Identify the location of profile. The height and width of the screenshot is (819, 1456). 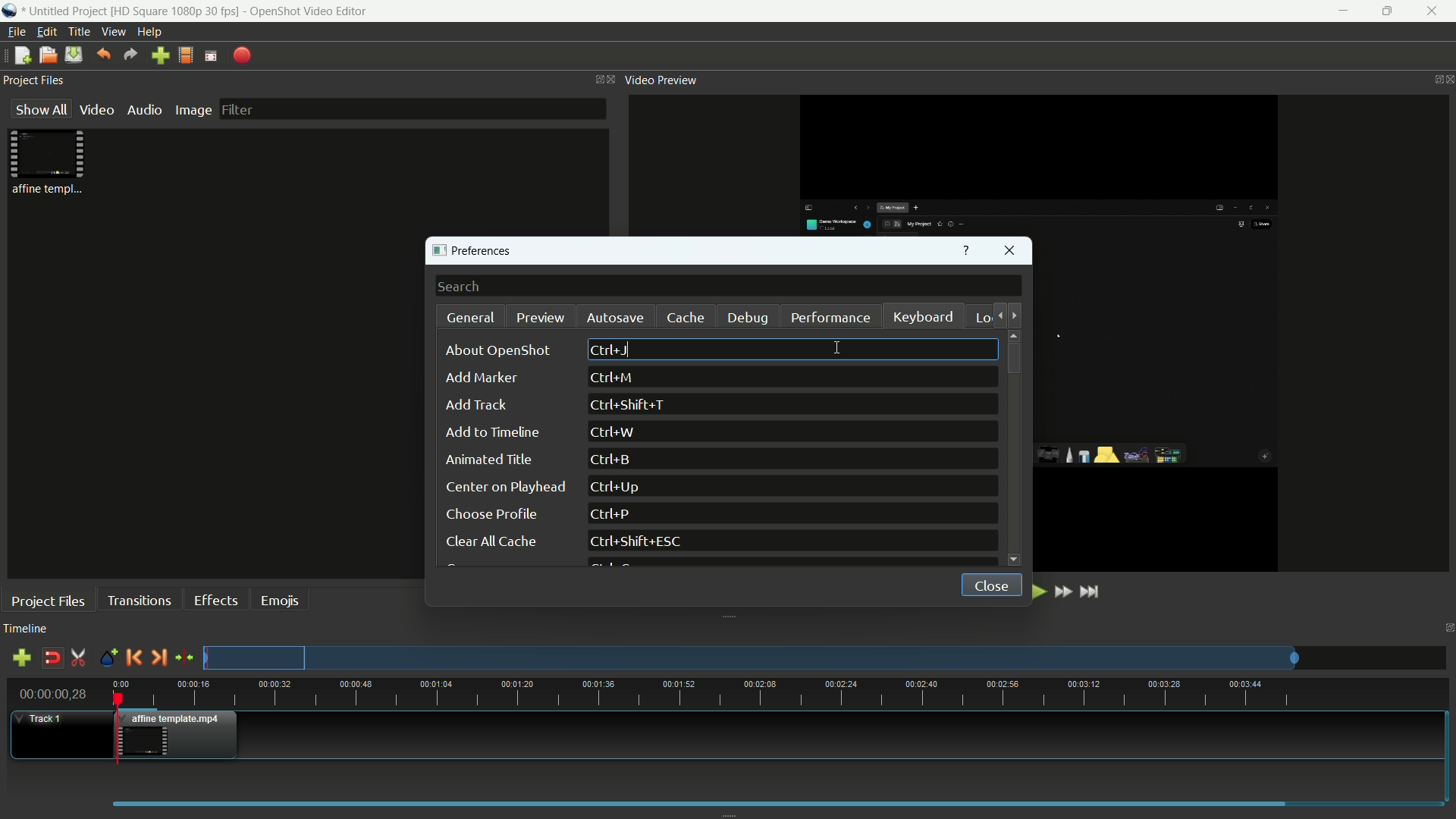
(177, 11).